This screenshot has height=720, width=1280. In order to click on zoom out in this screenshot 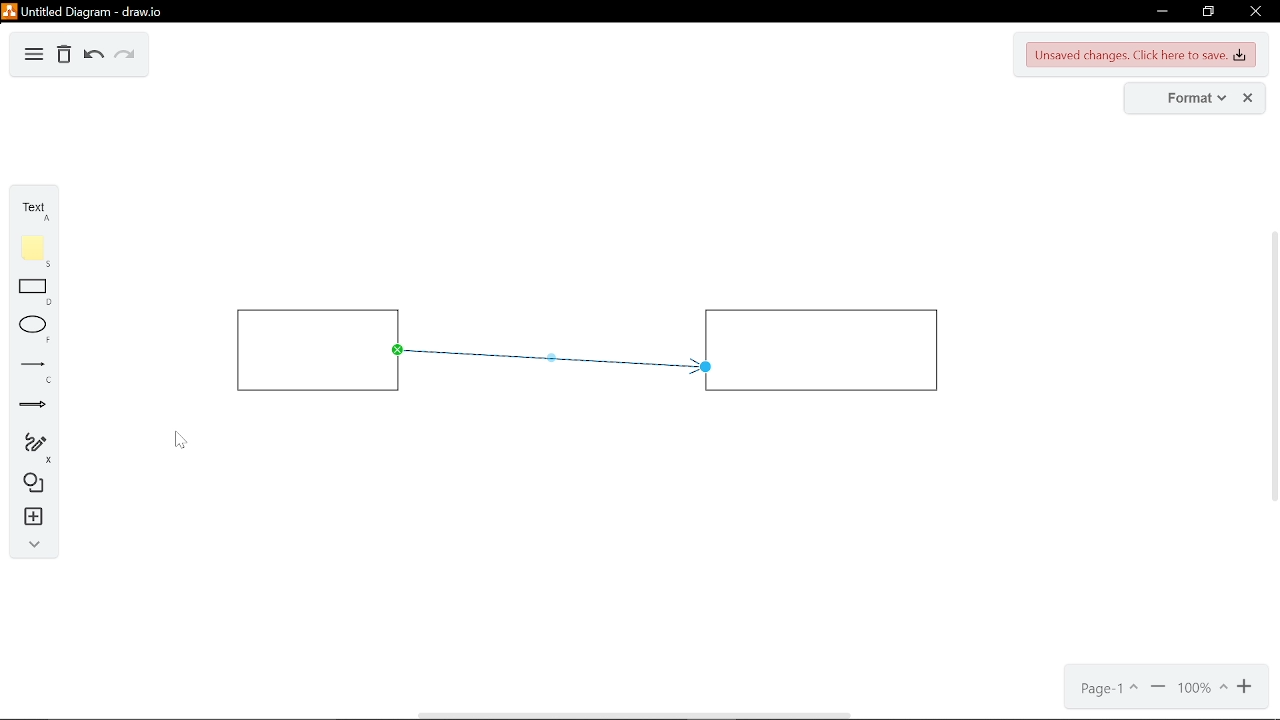, I will do `click(1158, 691)`.